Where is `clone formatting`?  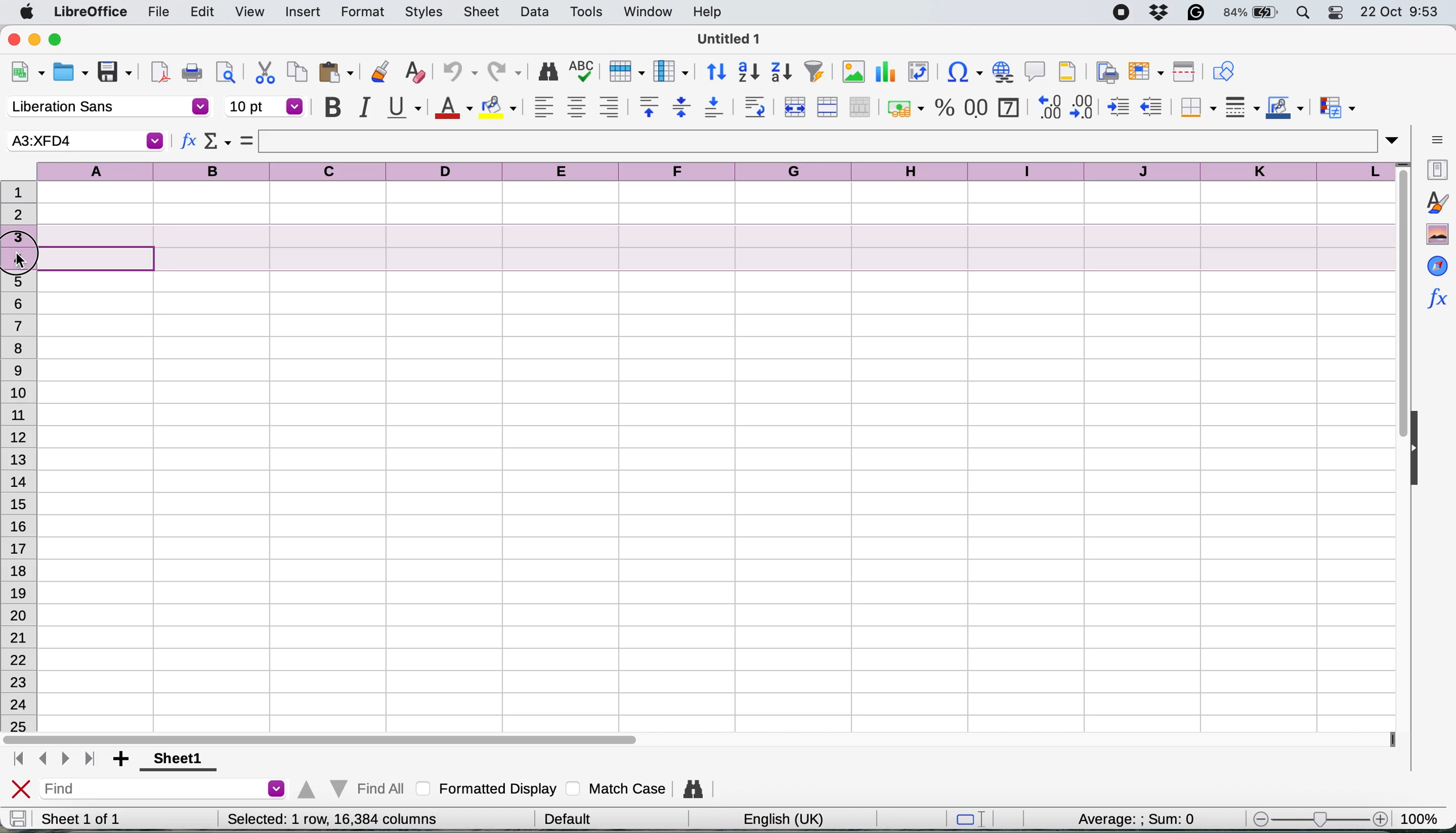 clone formatting is located at coordinates (378, 73).